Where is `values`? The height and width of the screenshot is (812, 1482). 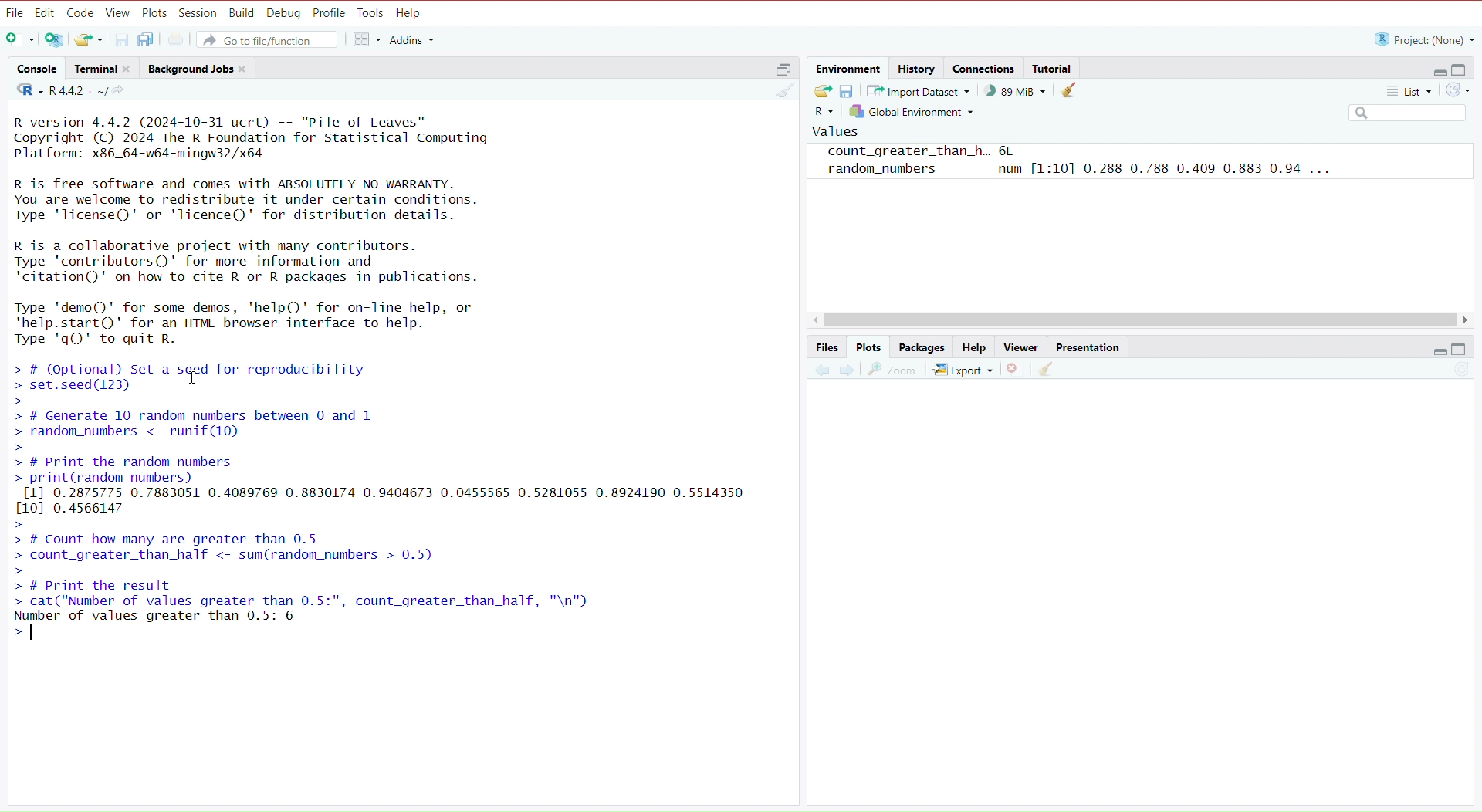 values is located at coordinates (836, 132).